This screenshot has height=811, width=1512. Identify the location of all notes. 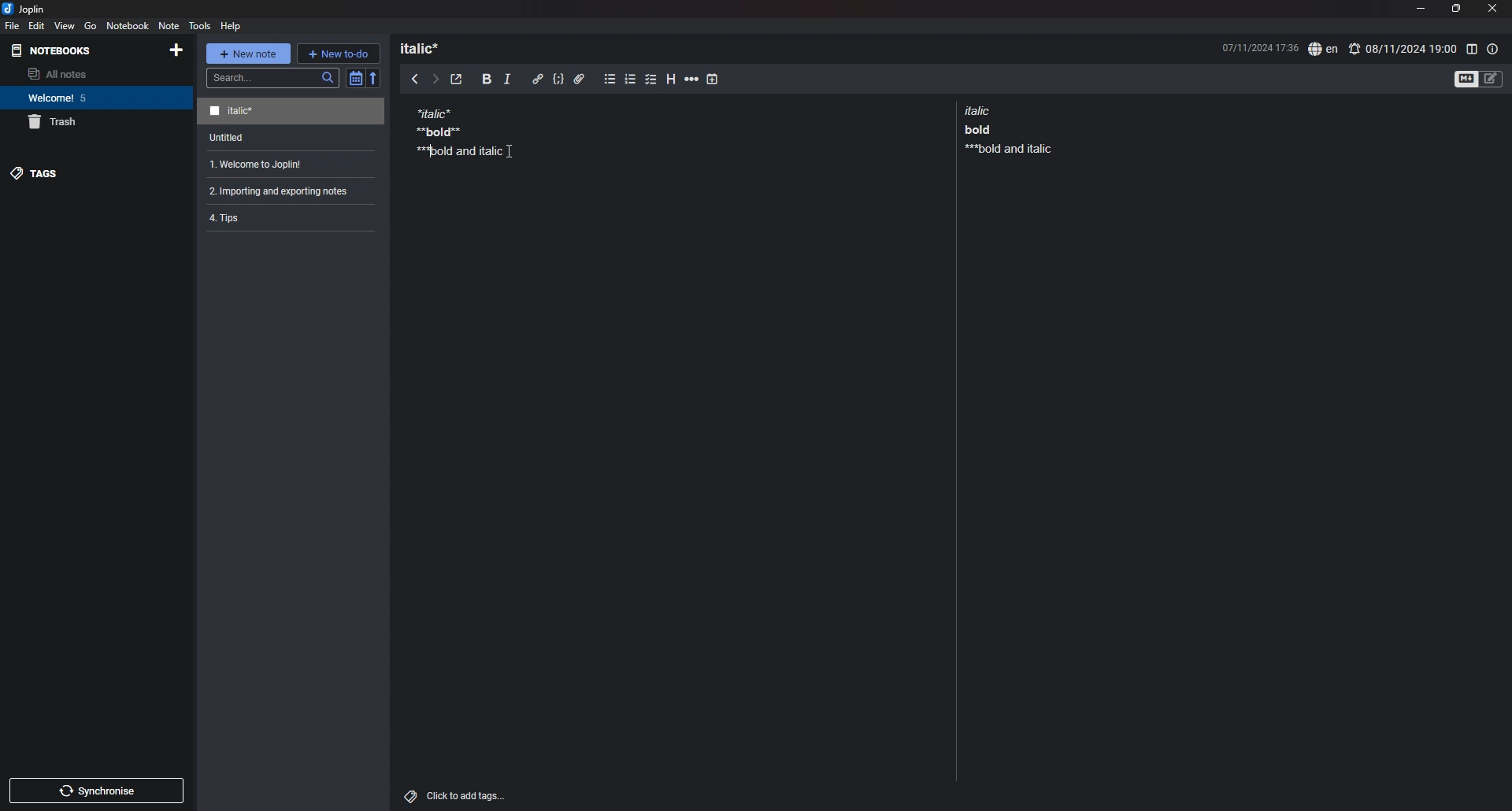
(92, 74).